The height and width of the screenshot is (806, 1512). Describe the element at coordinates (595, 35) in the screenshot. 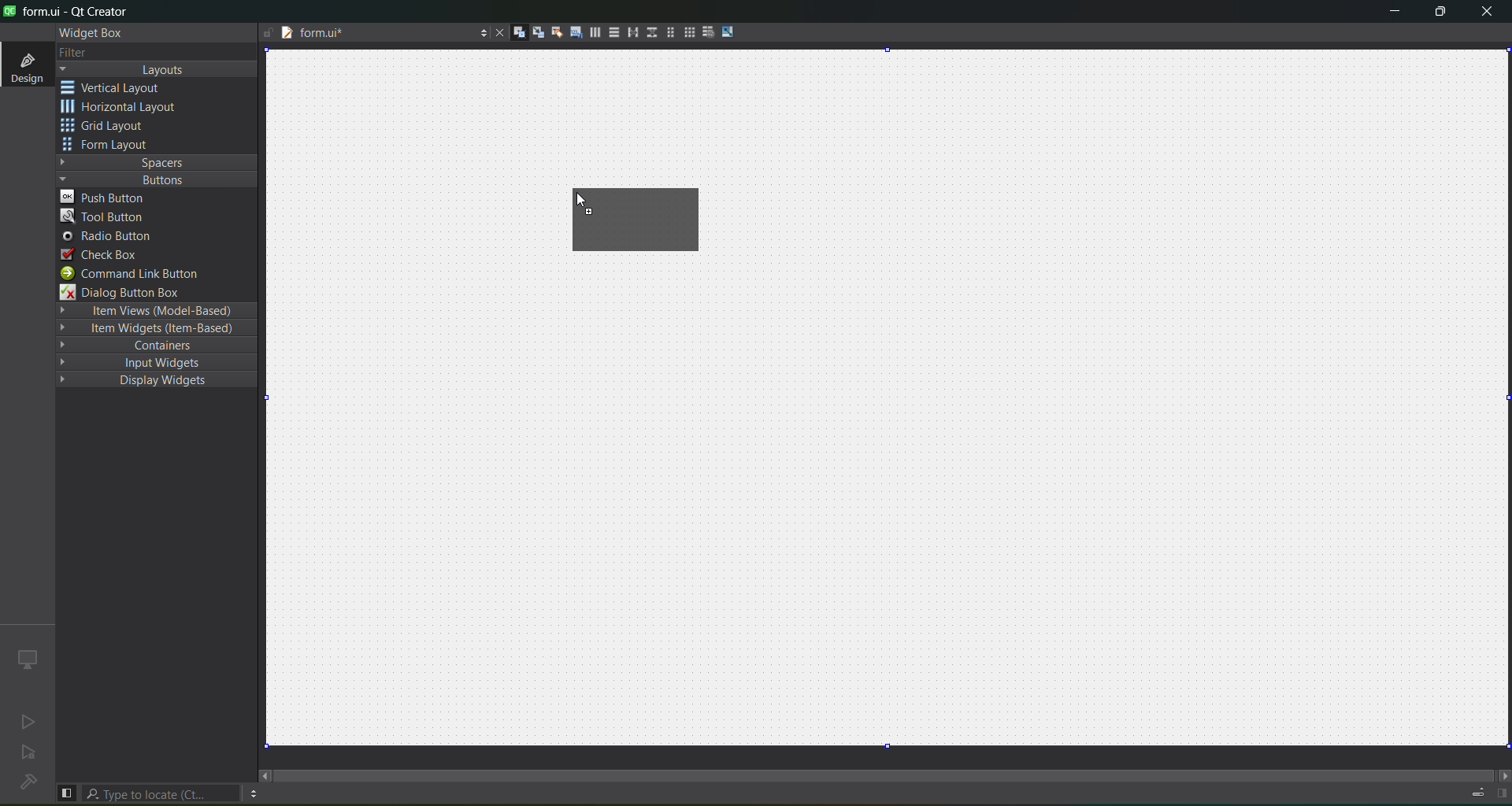

I see `horizontal layoutt` at that location.